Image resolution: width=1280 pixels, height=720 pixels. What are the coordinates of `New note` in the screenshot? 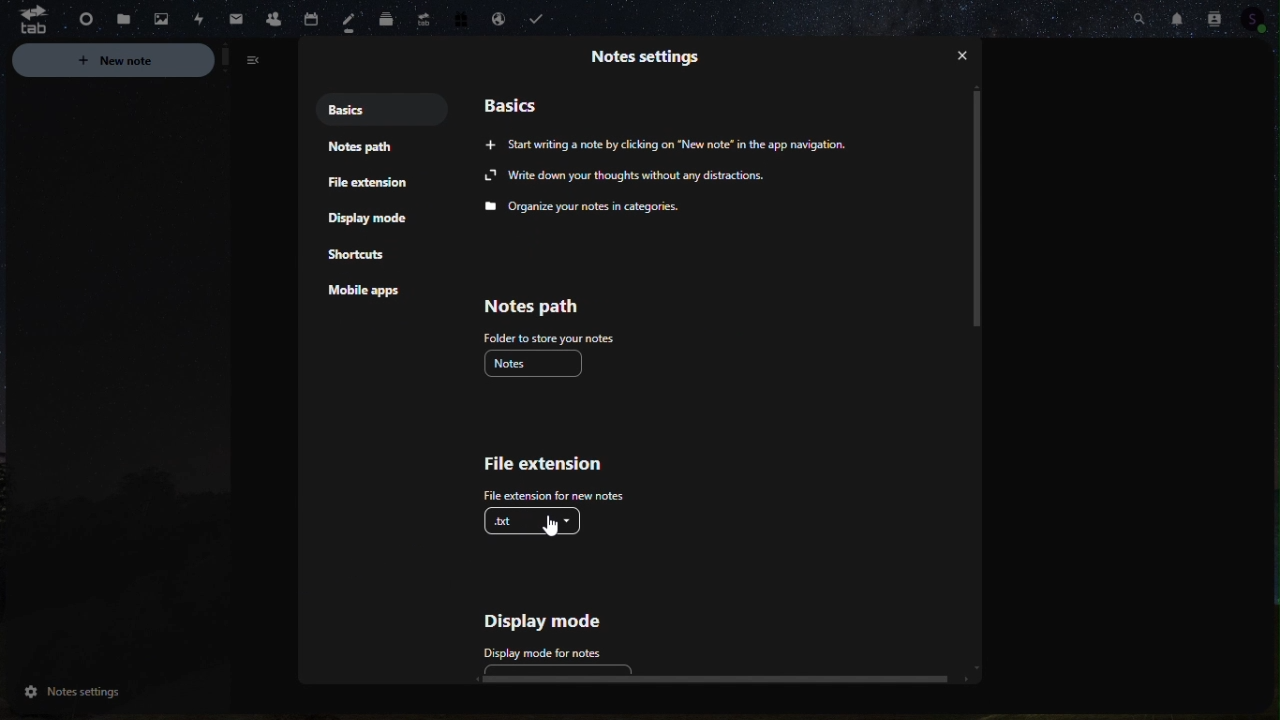 It's located at (144, 61).